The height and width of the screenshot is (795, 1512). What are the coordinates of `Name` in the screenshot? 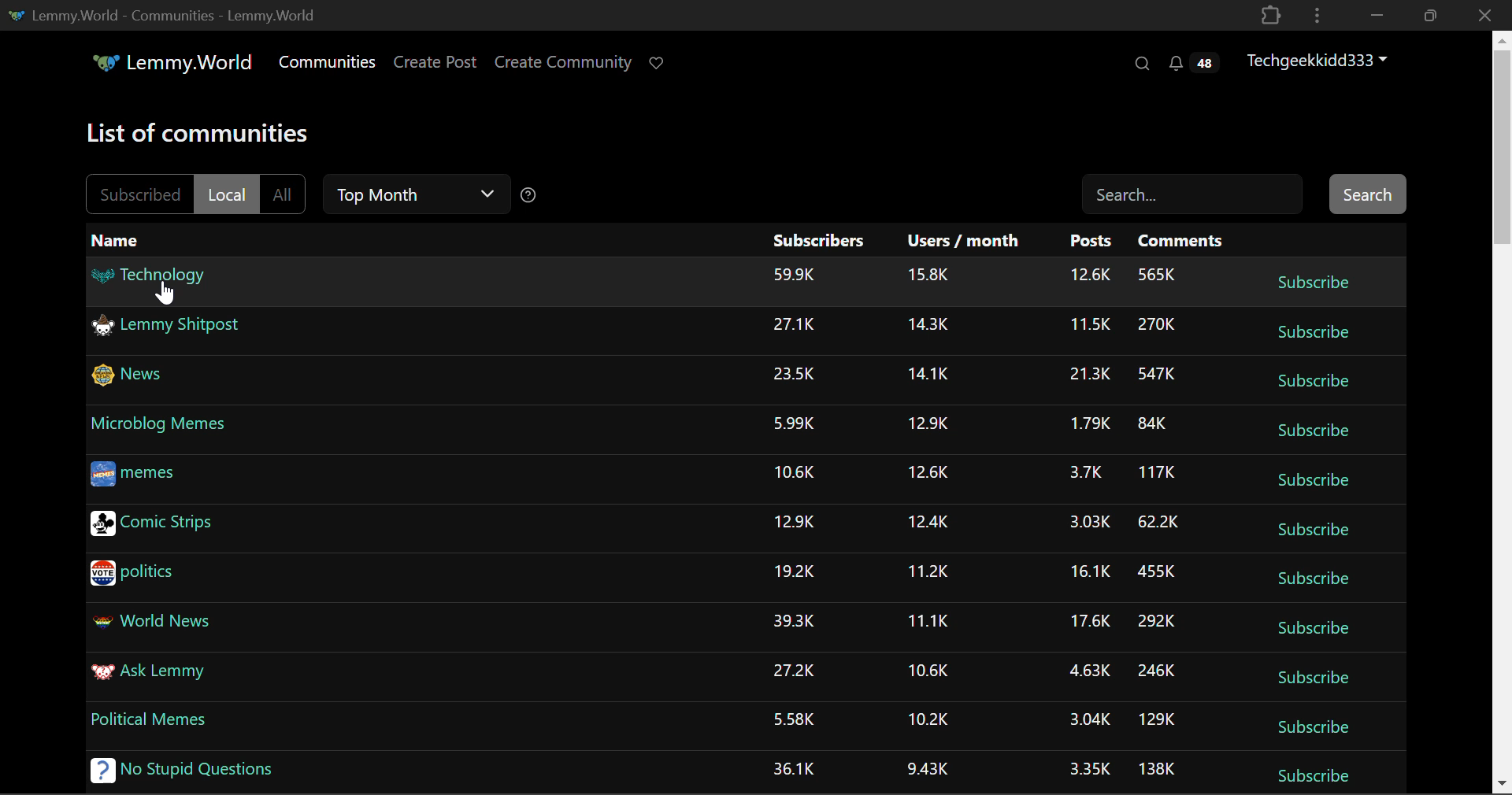 It's located at (120, 242).